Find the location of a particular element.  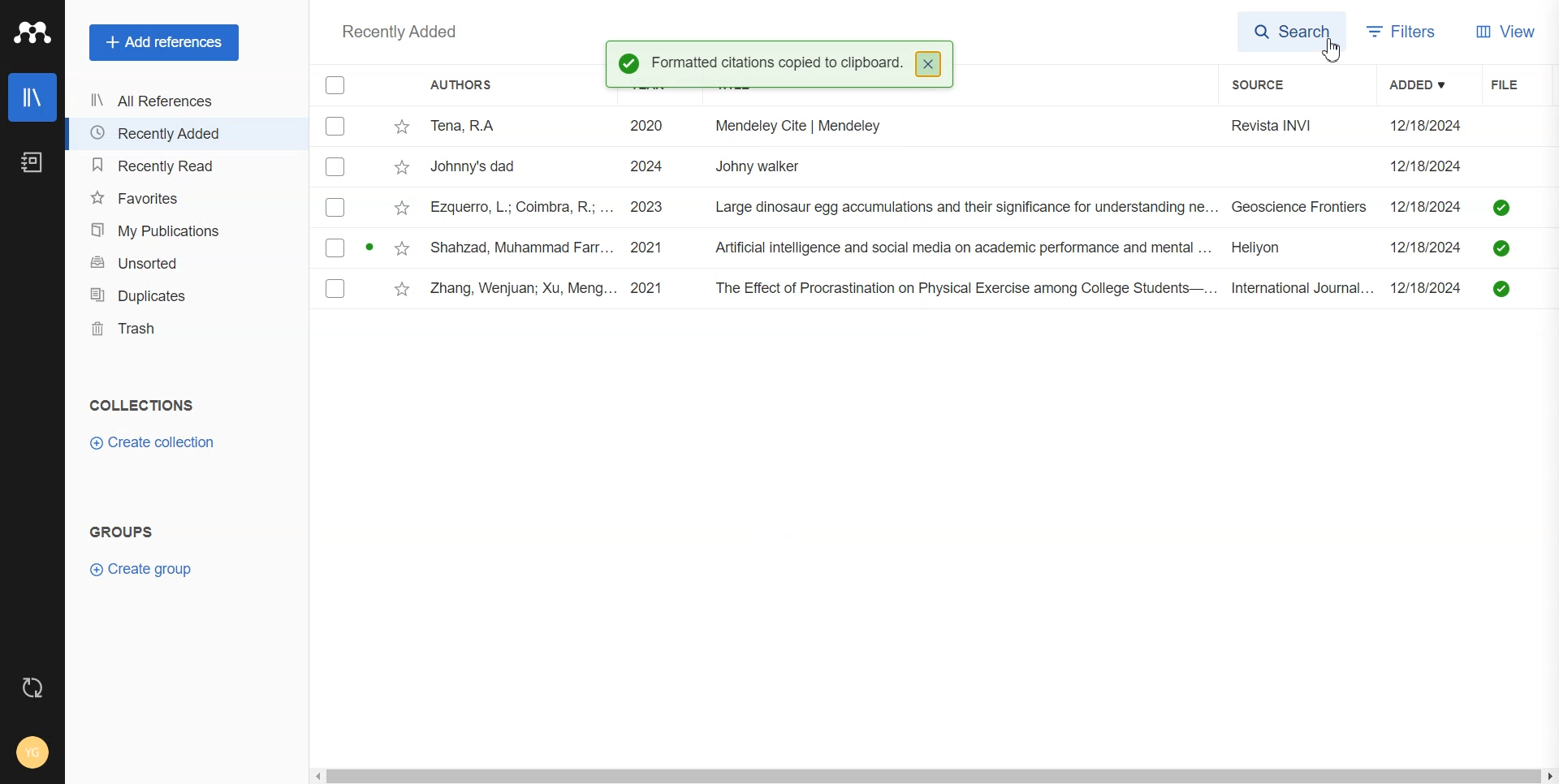

Authors is located at coordinates (460, 84).